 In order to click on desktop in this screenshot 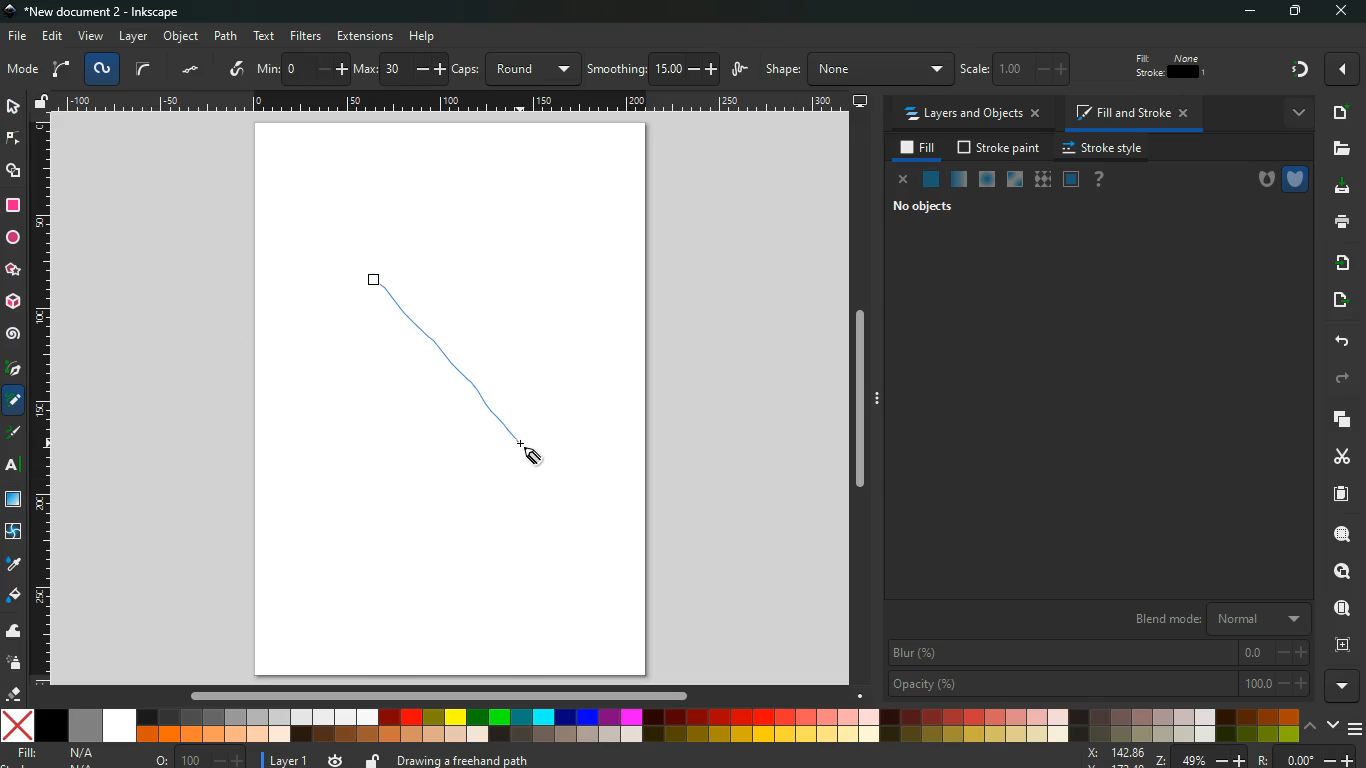, I will do `click(859, 102)`.